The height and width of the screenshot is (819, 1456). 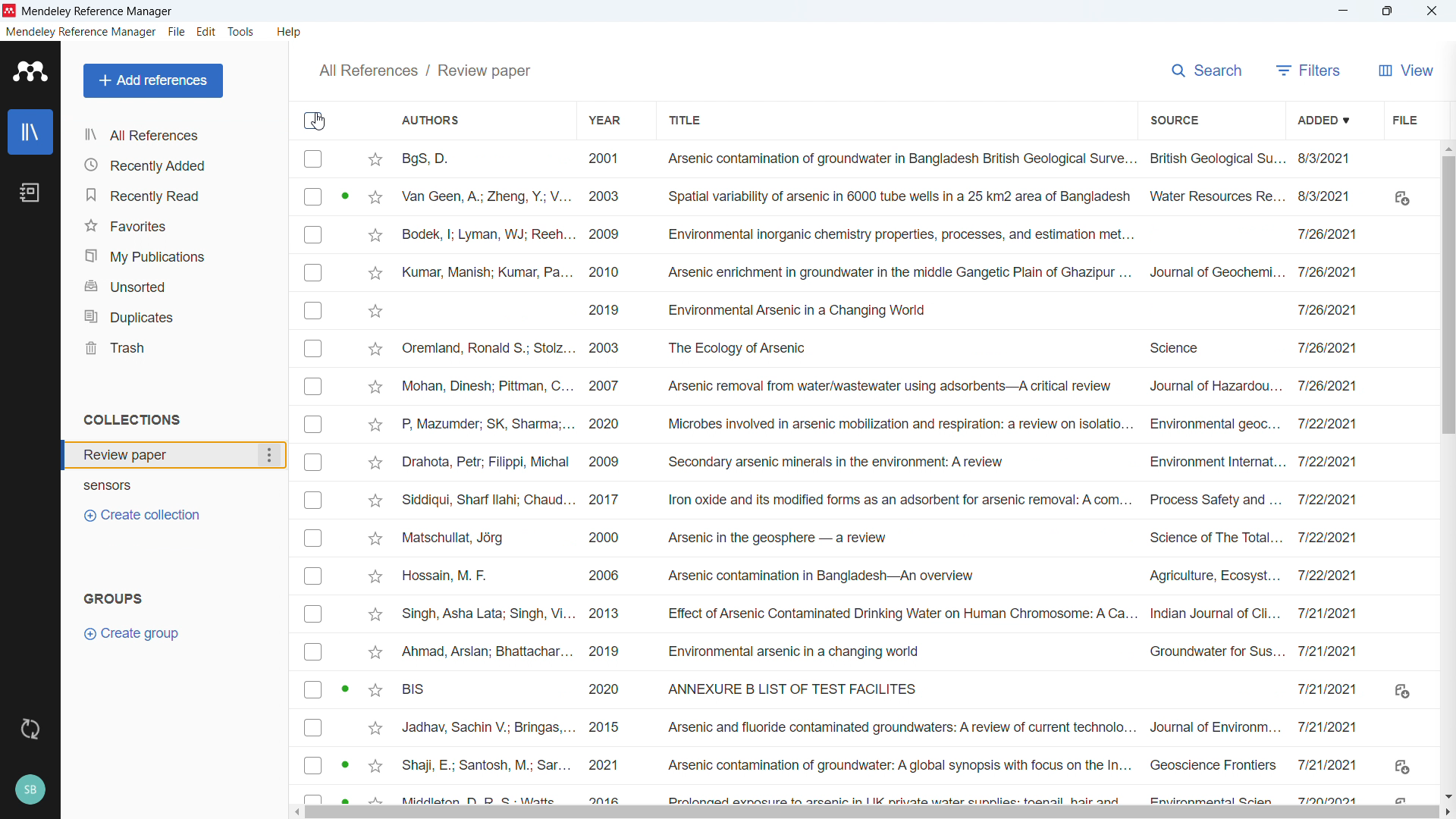 What do you see at coordinates (421, 70) in the screenshot?
I see `All references/review paper` at bounding box center [421, 70].